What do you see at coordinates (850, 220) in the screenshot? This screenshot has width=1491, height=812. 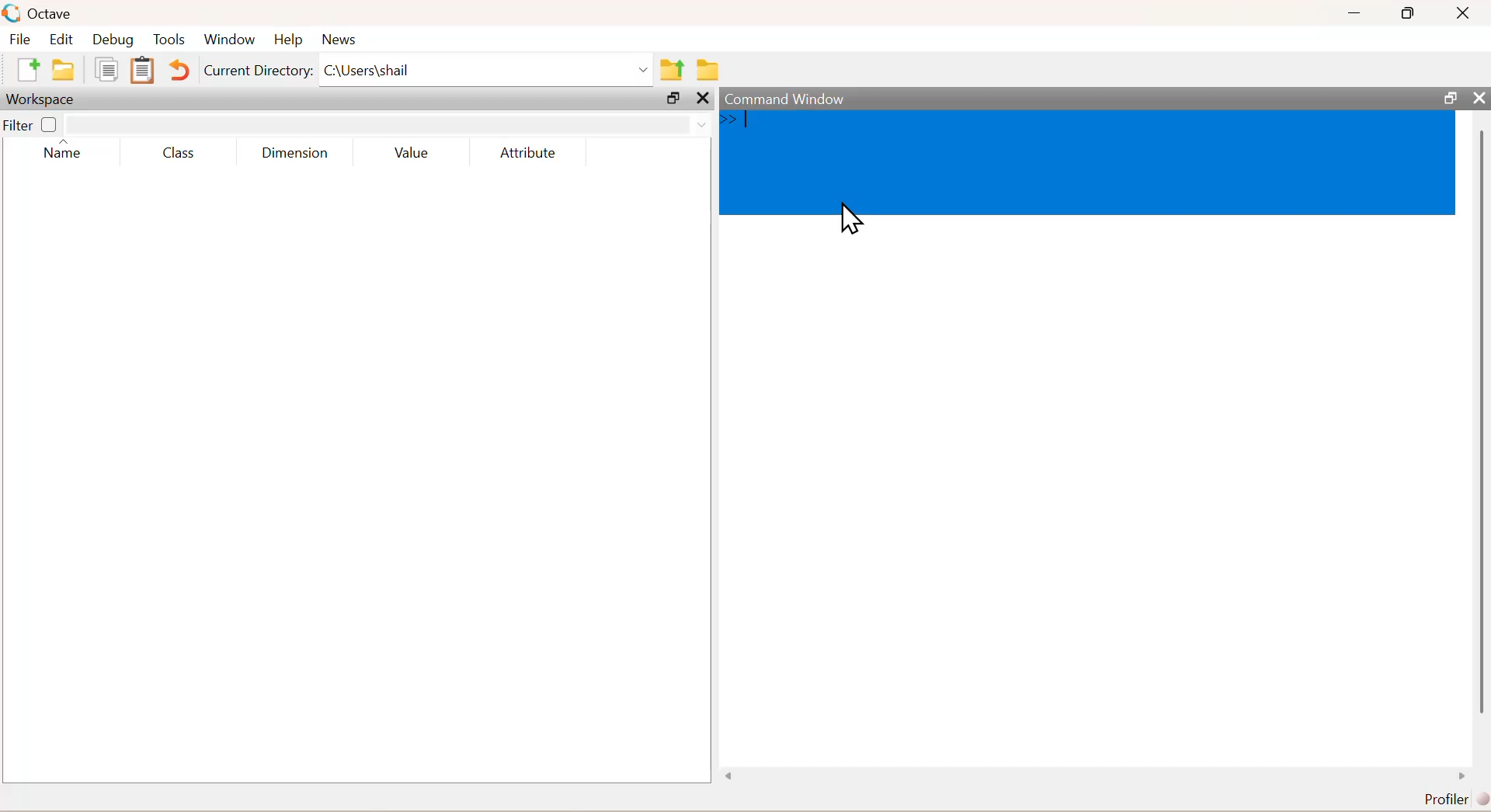 I see `cursor` at bounding box center [850, 220].